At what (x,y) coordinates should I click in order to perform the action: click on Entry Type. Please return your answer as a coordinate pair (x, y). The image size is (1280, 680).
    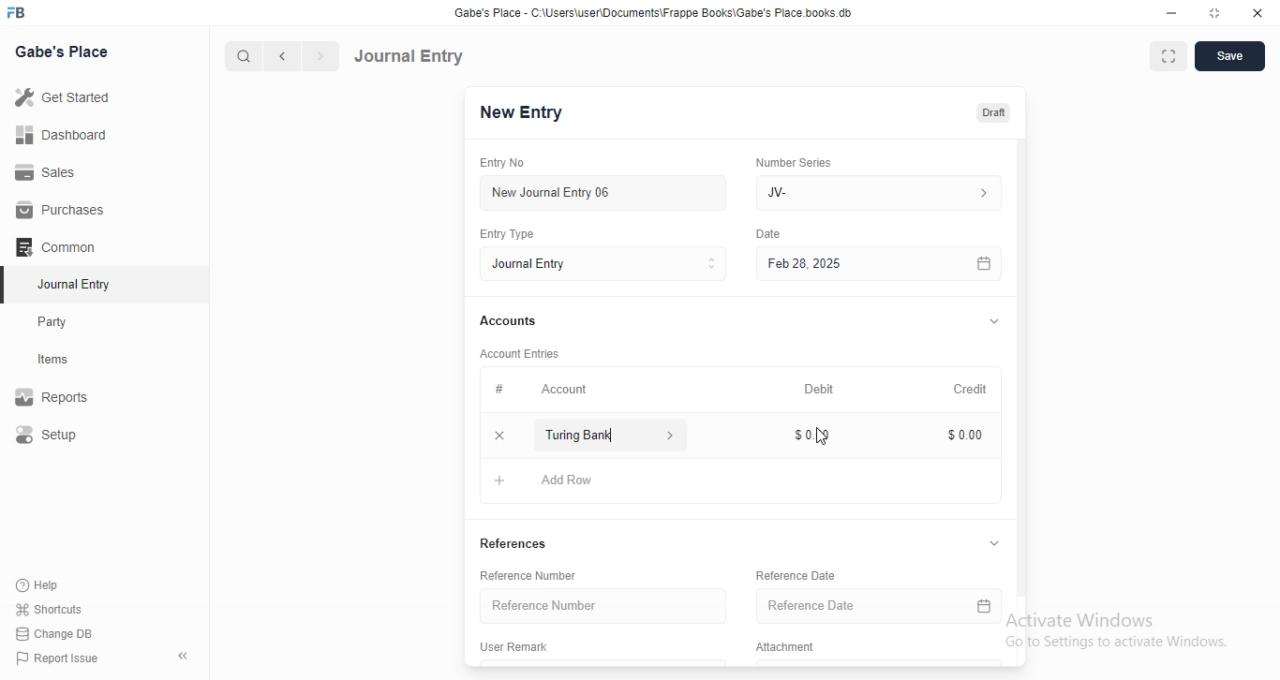
    Looking at the image, I should click on (514, 233).